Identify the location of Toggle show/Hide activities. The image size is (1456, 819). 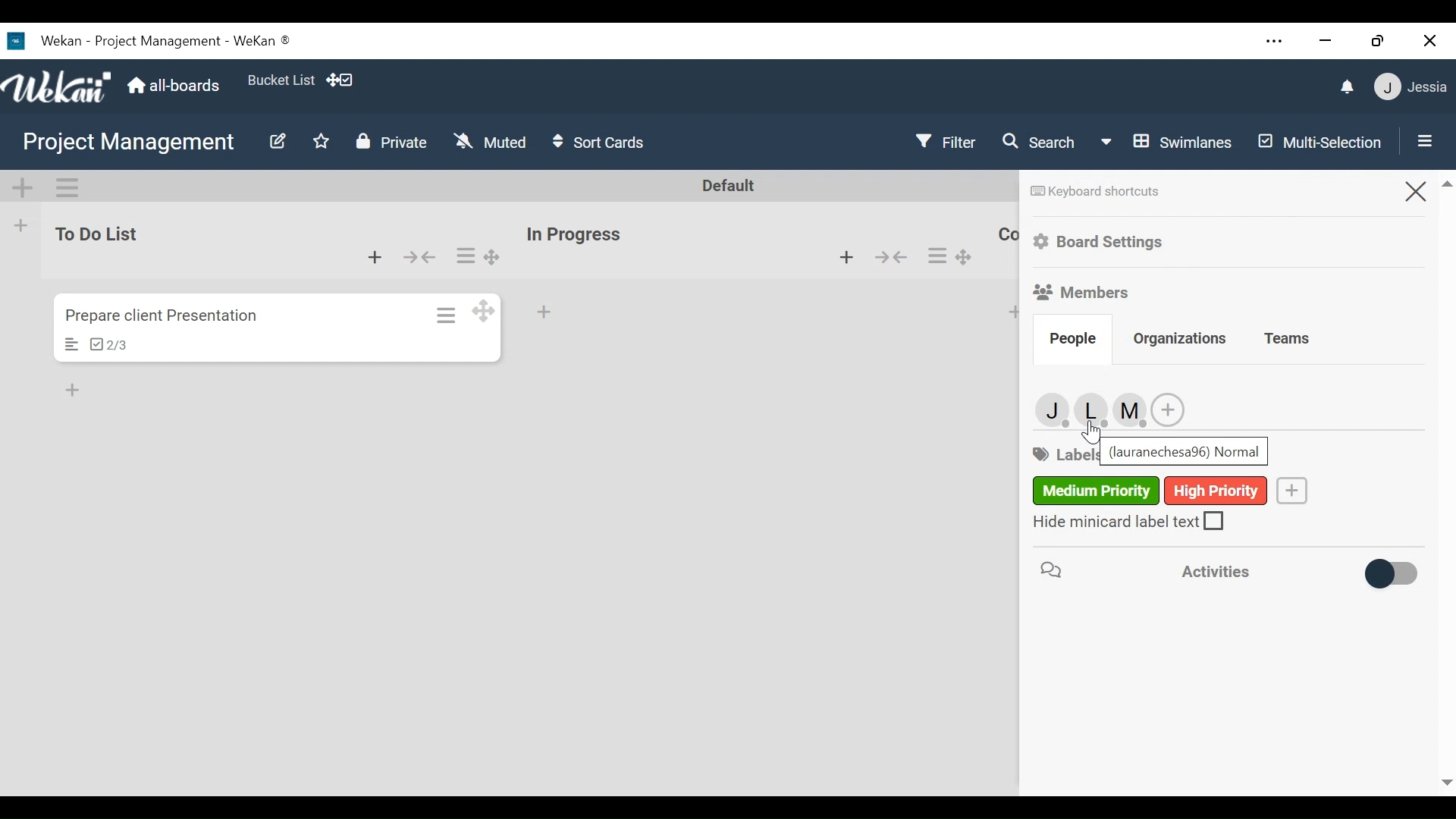
(1386, 576).